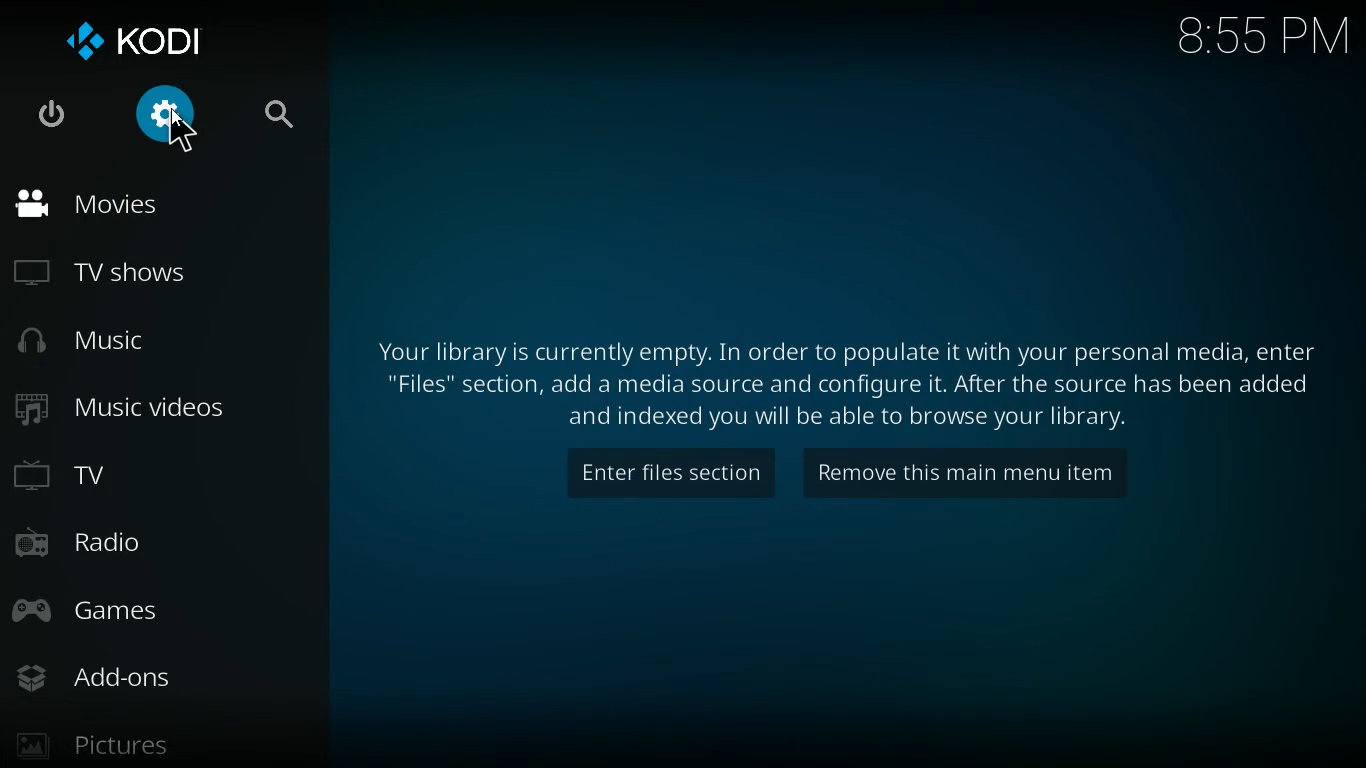 This screenshot has height=768, width=1366. I want to click on movies, so click(104, 204).